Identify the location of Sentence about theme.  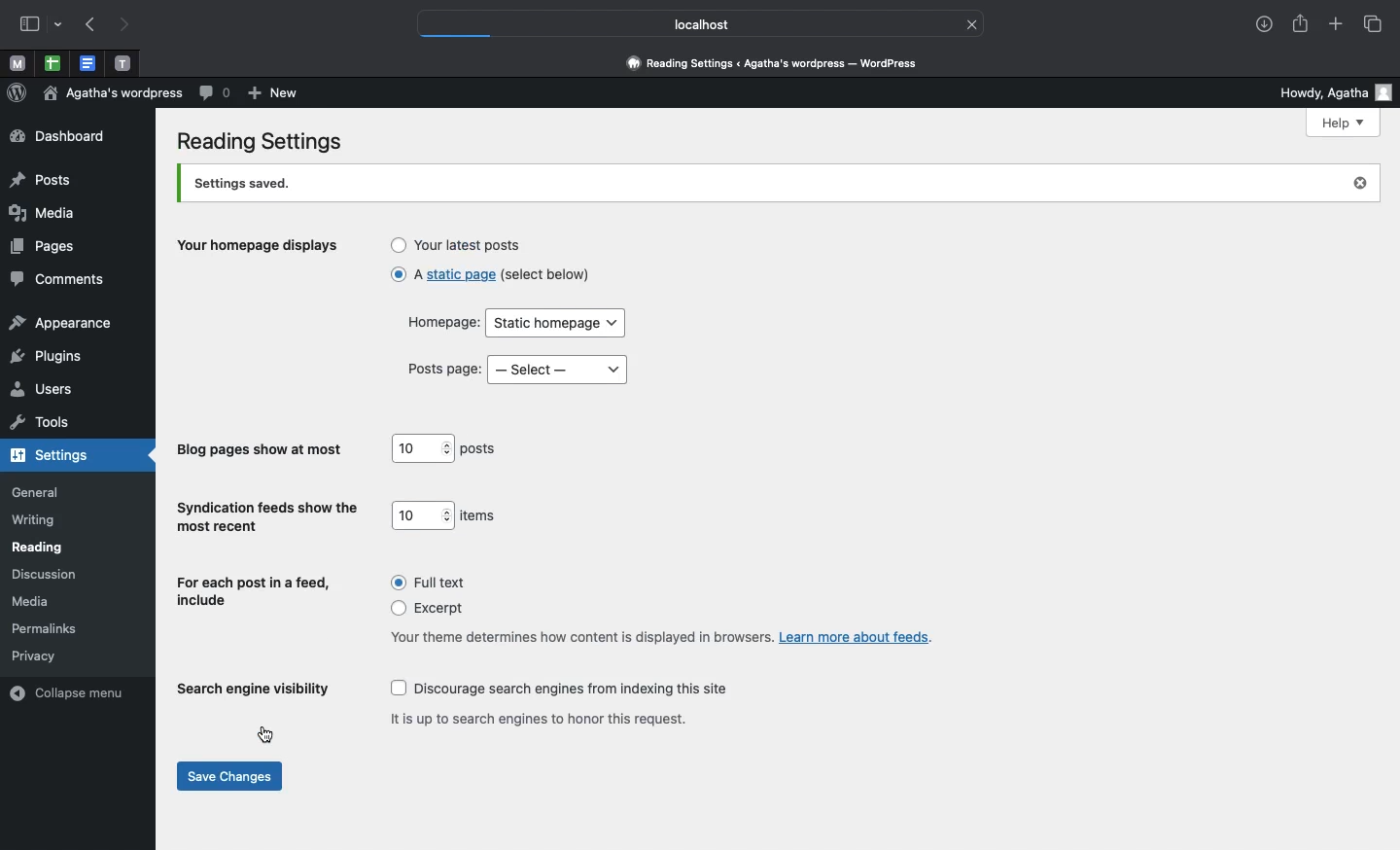
(573, 636).